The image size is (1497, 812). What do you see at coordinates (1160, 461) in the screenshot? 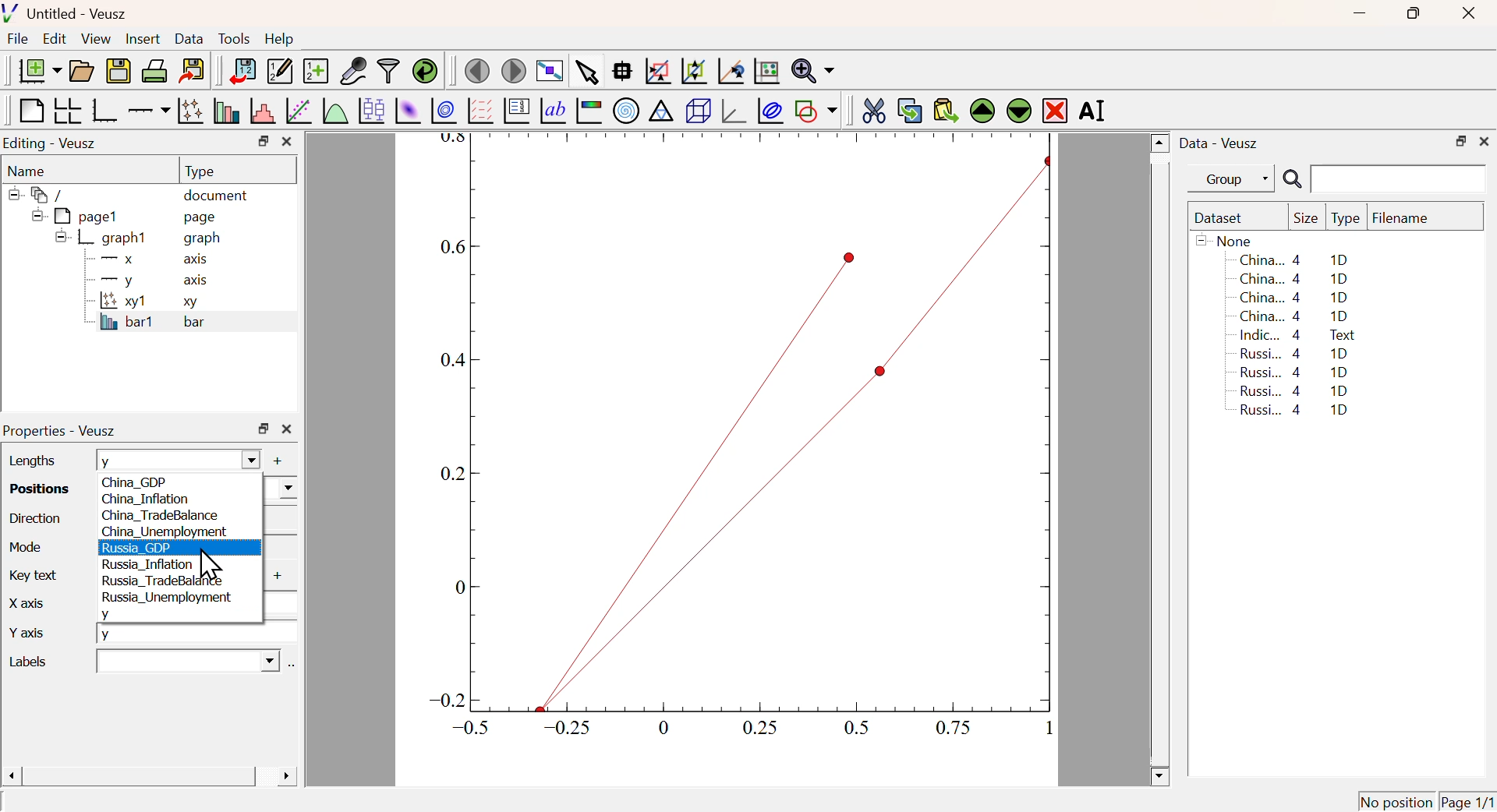
I see `Scroll` at bounding box center [1160, 461].